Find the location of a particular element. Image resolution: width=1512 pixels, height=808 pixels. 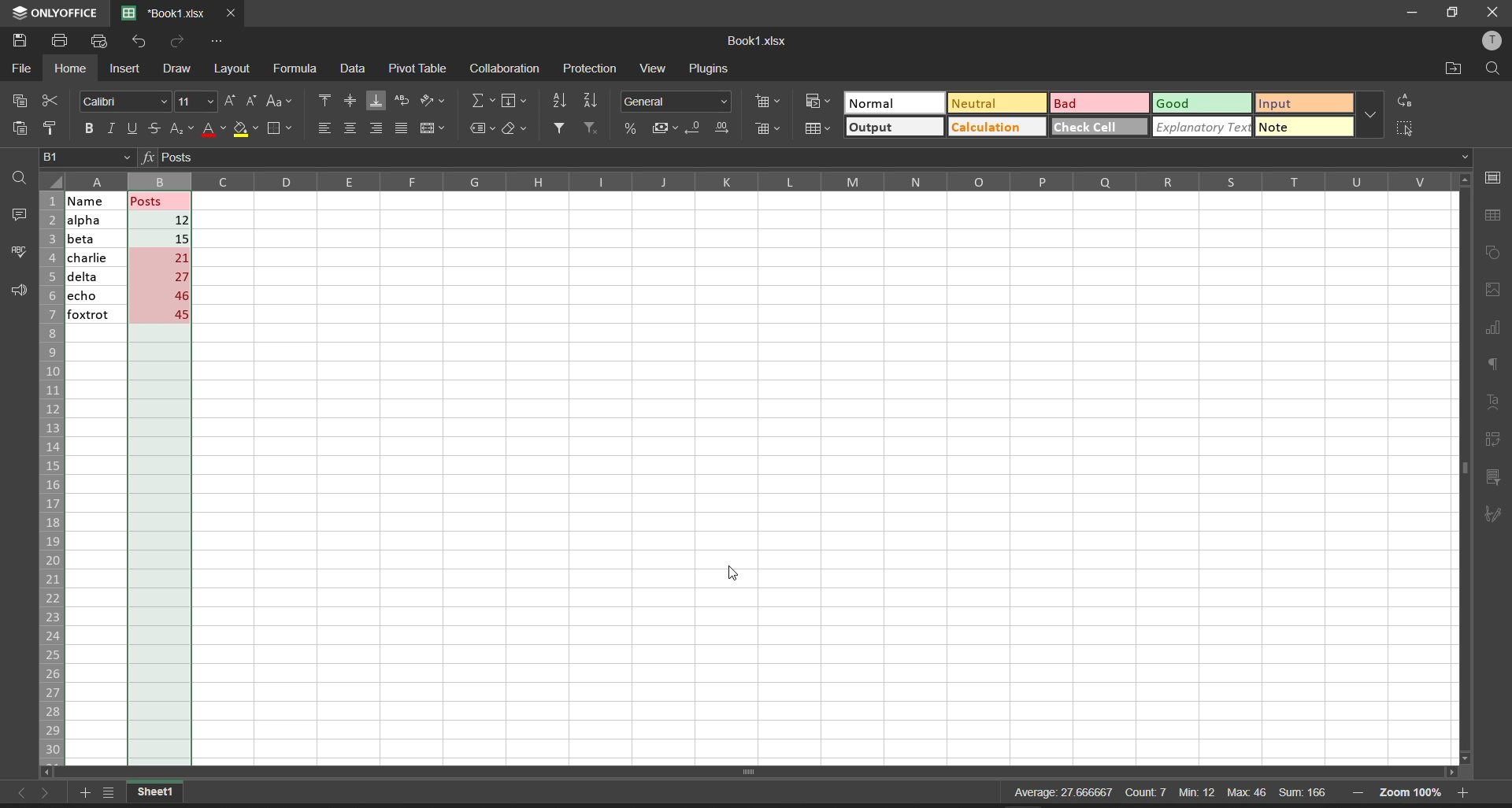

filter is located at coordinates (555, 128).